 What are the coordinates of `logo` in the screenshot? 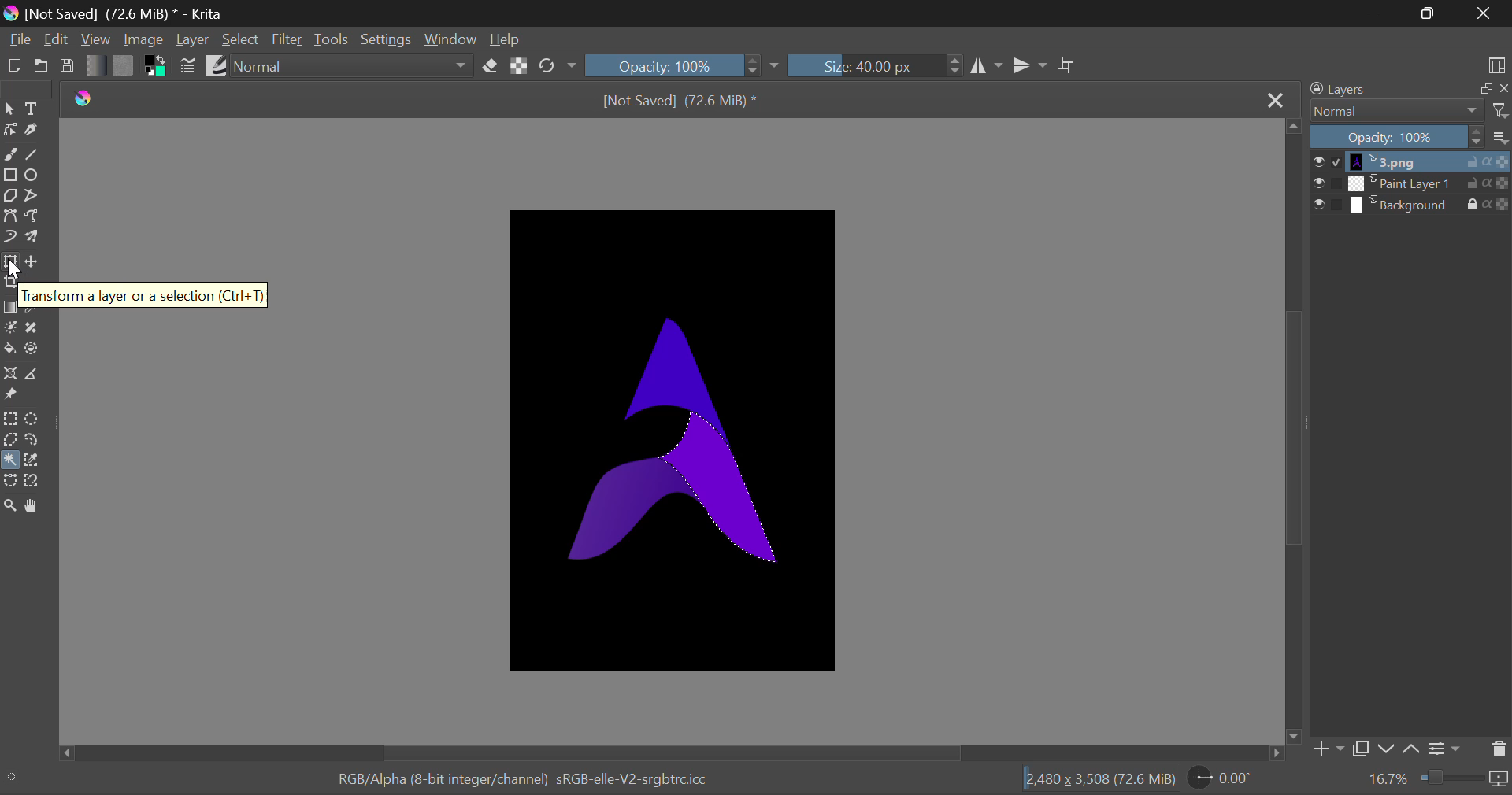 It's located at (87, 99).